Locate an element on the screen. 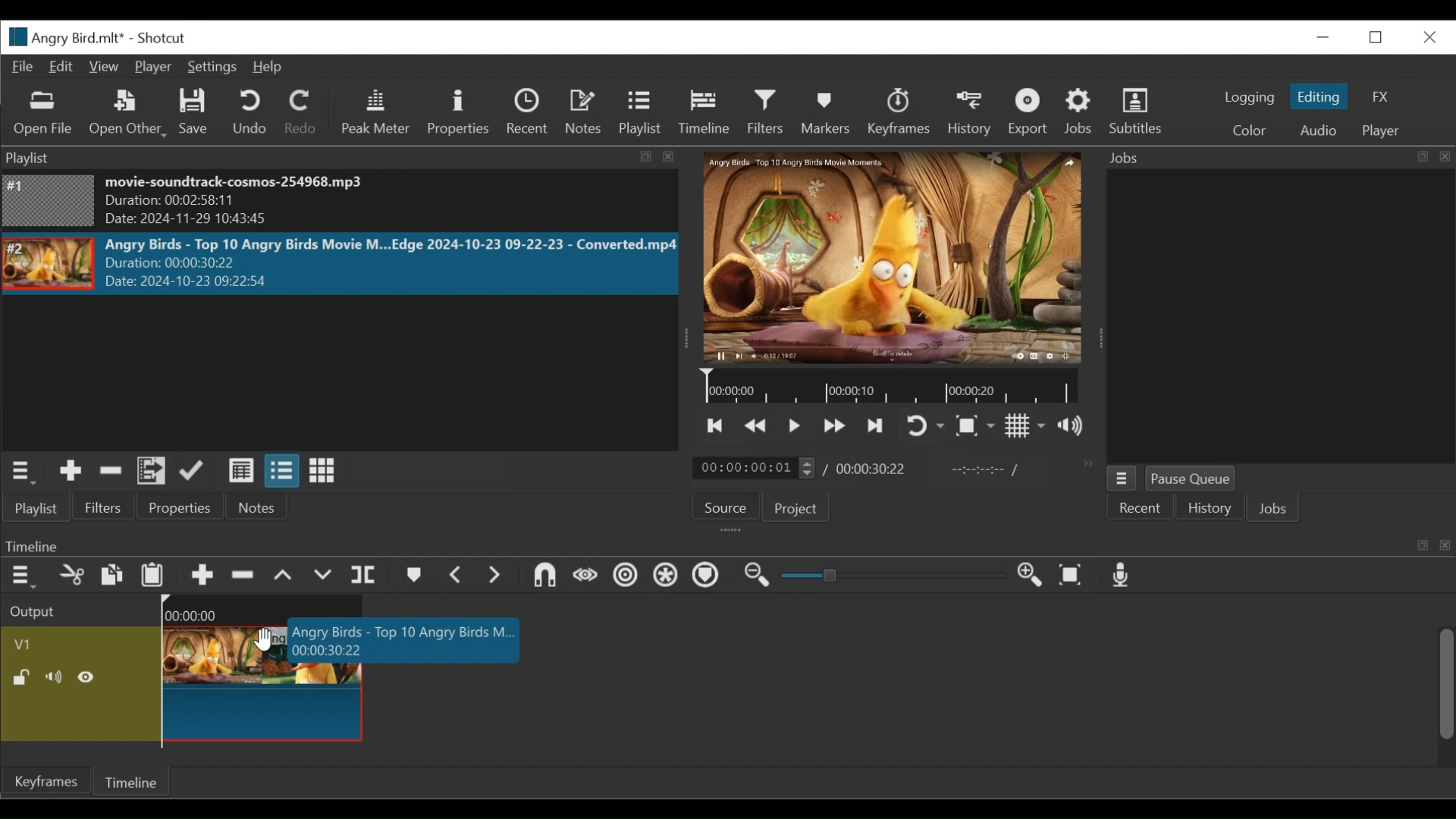 The height and width of the screenshot is (819, 1456). Markers is located at coordinates (412, 576).